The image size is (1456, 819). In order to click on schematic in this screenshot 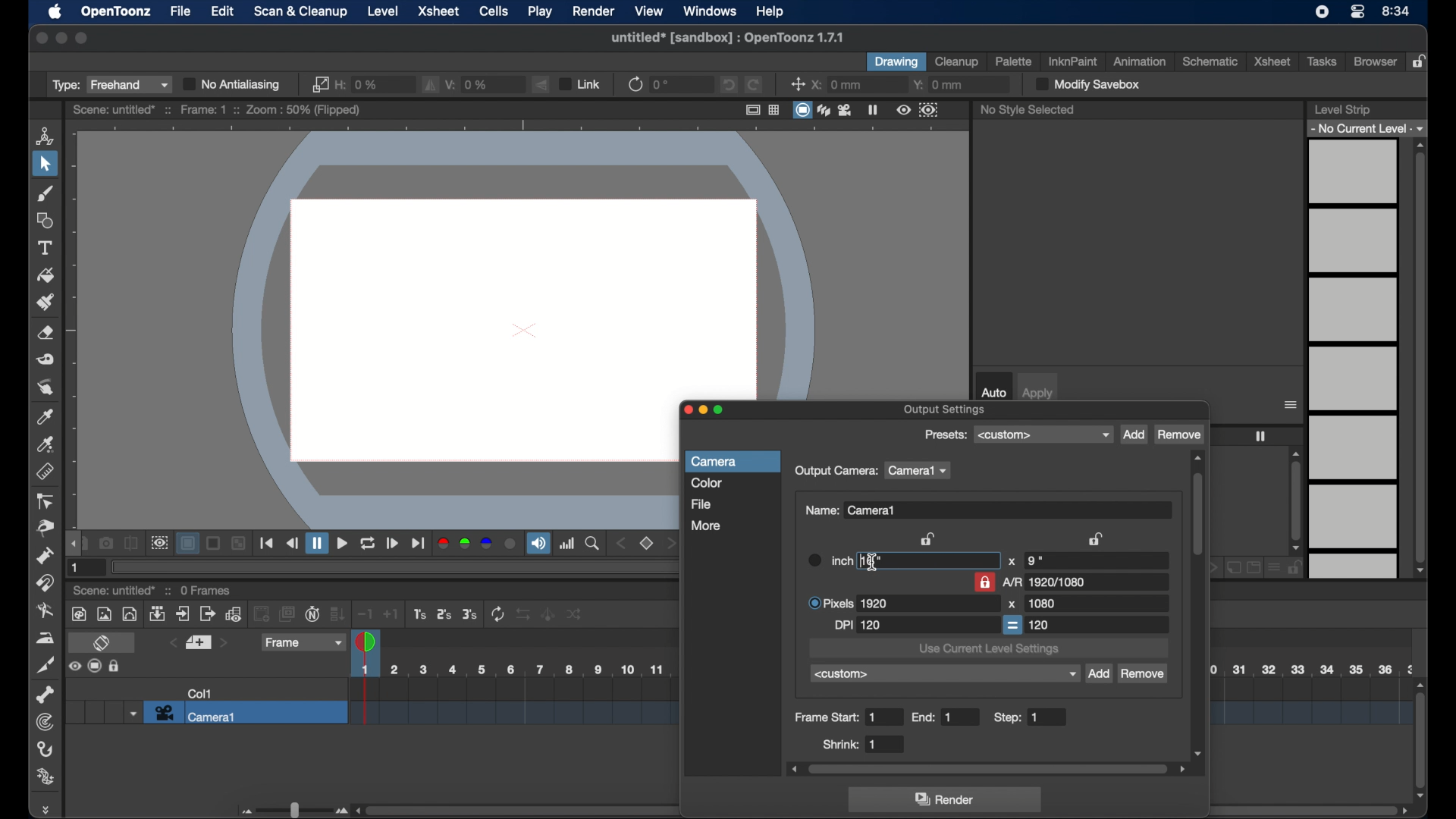, I will do `click(1211, 61)`.